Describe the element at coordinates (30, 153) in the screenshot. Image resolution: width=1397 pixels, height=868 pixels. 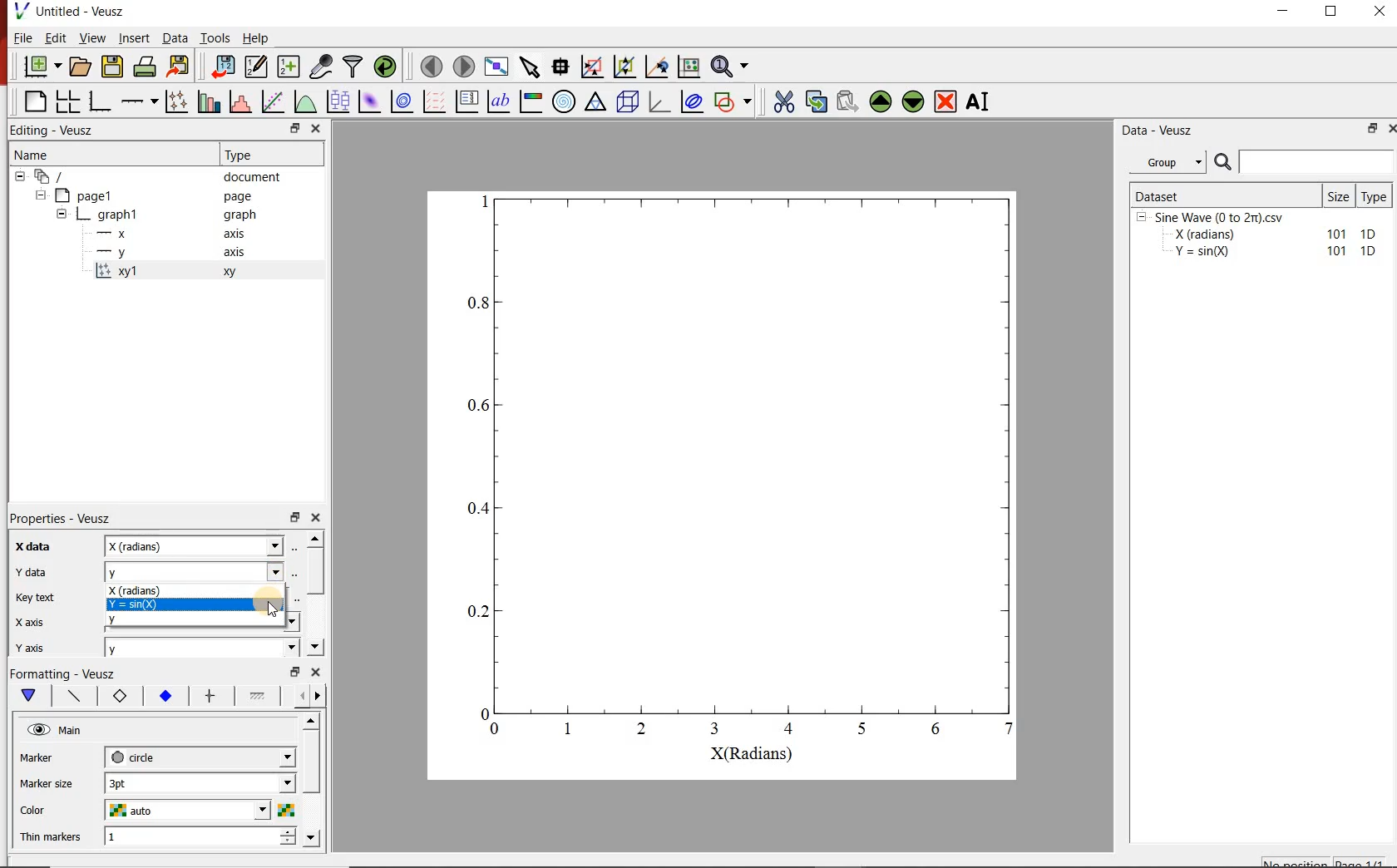
I see `Name` at that location.